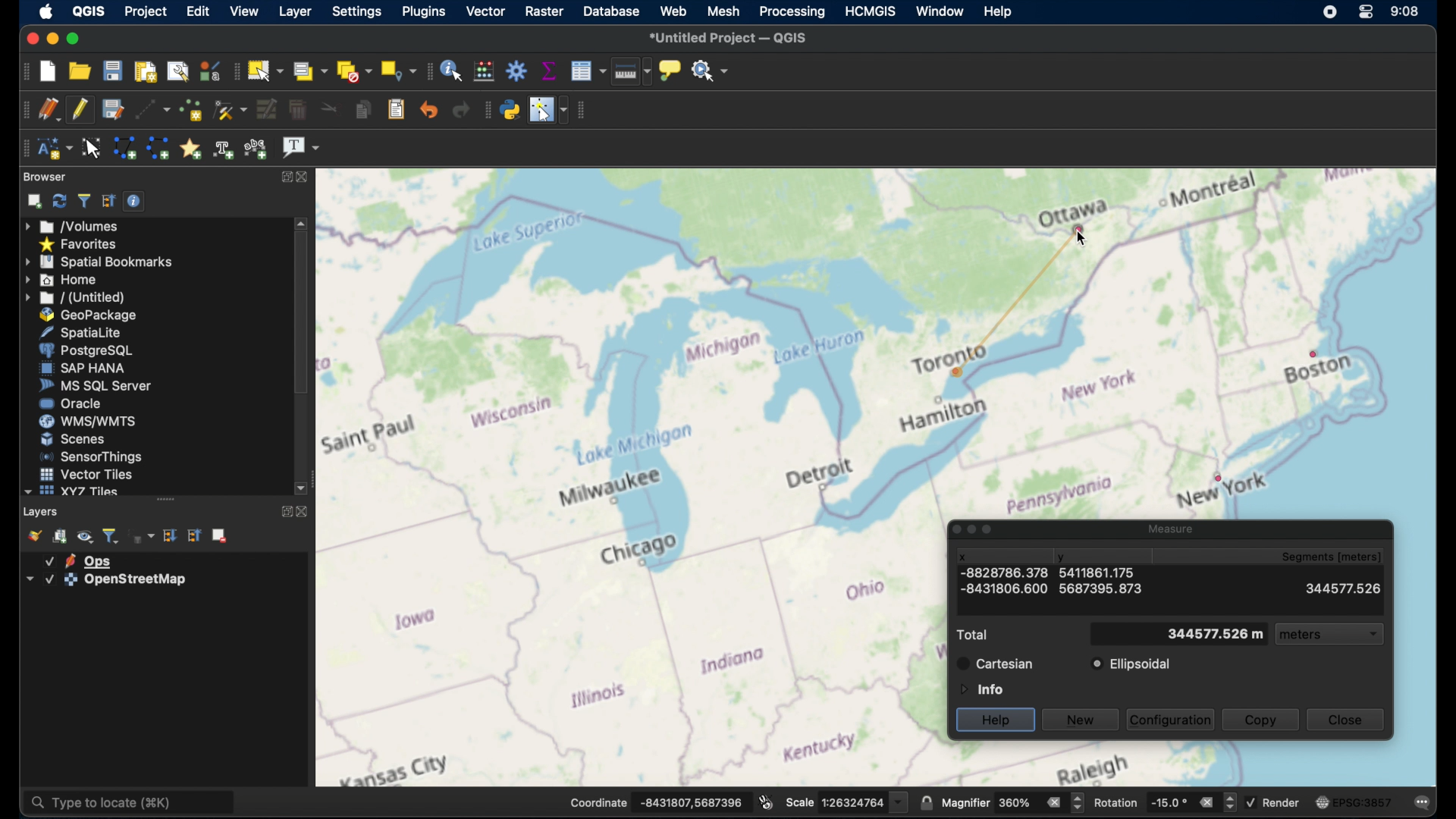 Image resolution: width=1456 pixels, height=819 pixels. I want to click on rotation, so click(1164, 801).